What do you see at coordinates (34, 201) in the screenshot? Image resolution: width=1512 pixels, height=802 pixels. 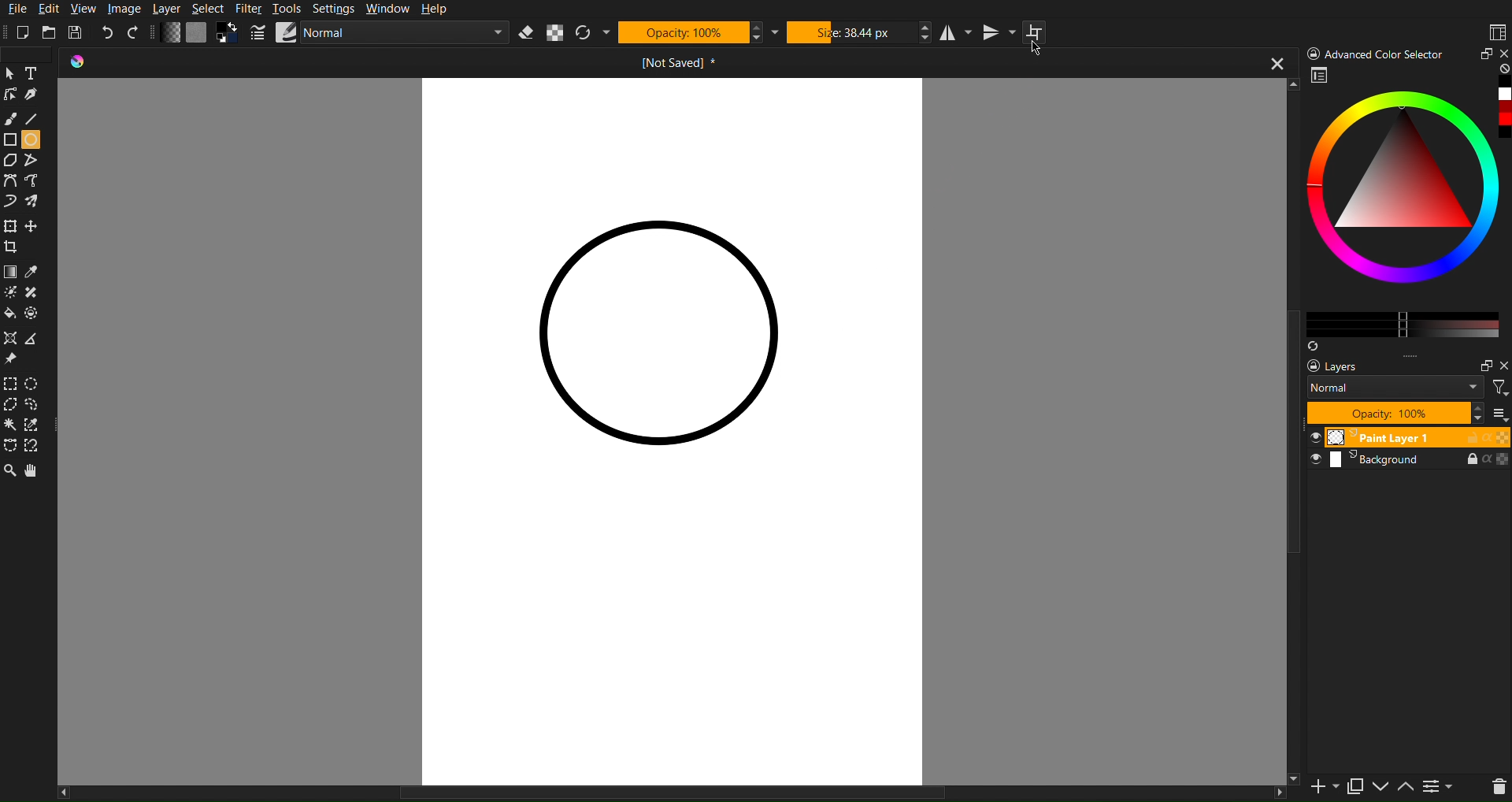 I see `Curve free shape` at bounding box center [34, 201].